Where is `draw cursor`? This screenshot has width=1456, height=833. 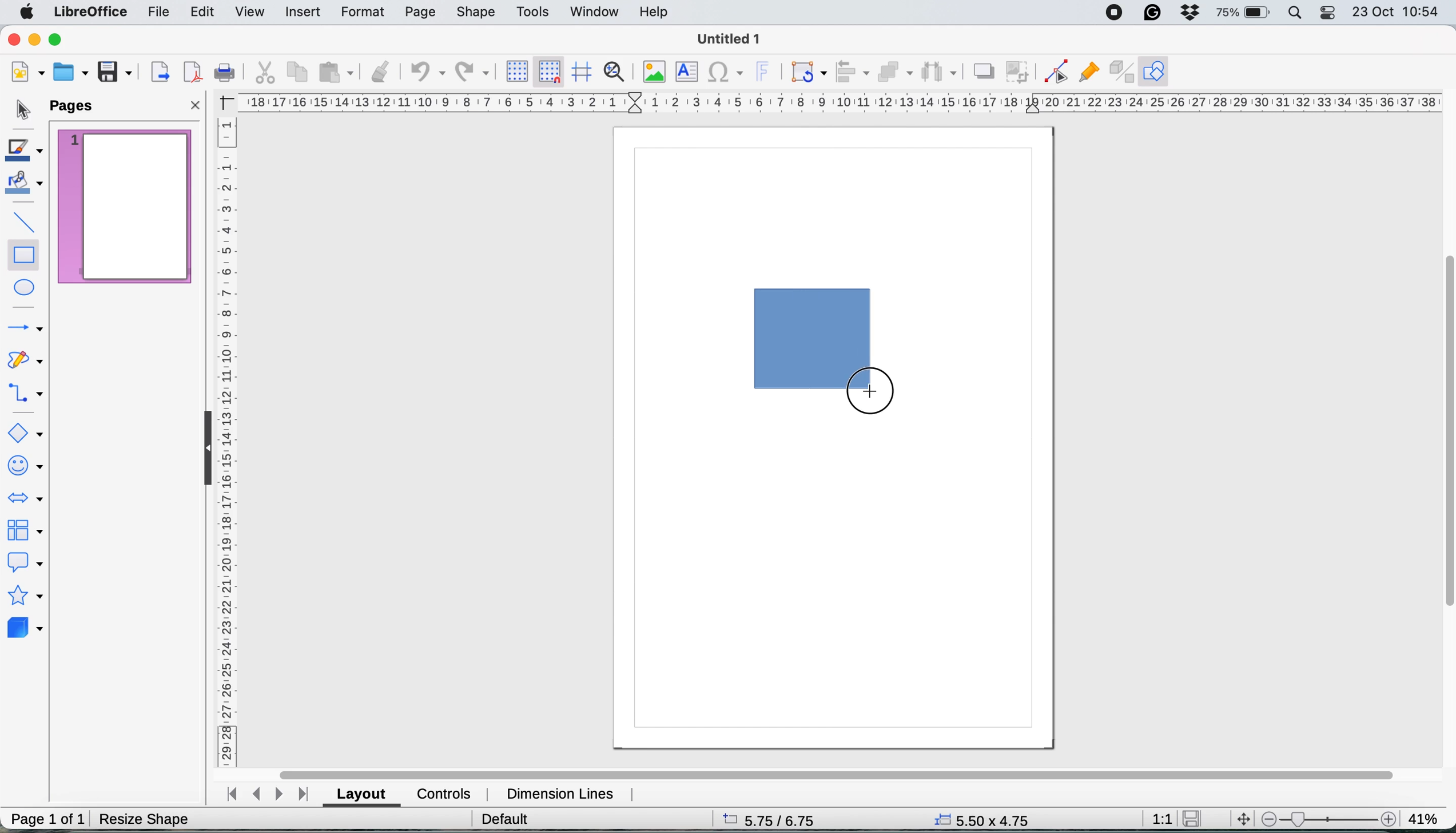
draw cursor is located at coordinates (873, 392).